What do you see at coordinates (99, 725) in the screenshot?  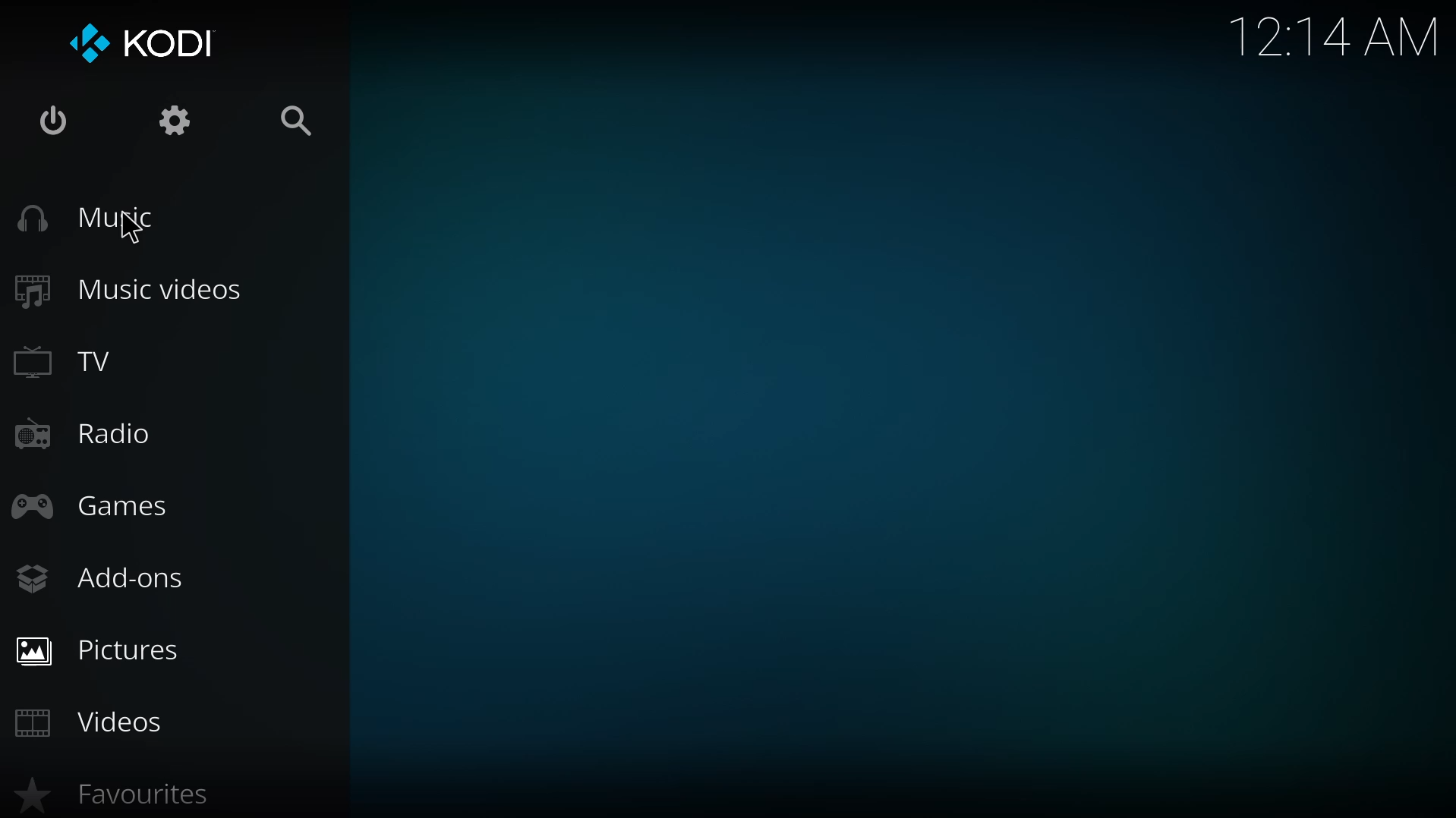 I see `videos` at bounding box center [99, 725].